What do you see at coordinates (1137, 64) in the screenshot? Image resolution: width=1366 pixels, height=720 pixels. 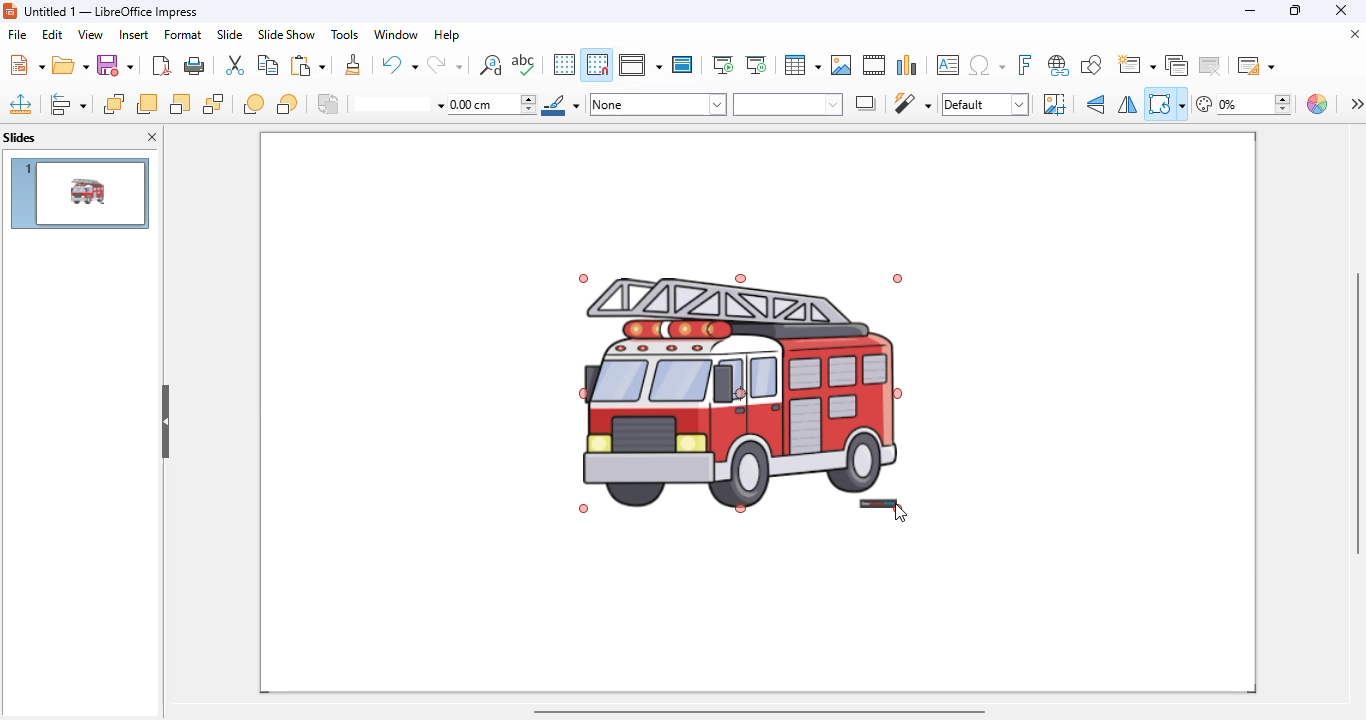 I see `new slide` at bounding box center [1137, 64].